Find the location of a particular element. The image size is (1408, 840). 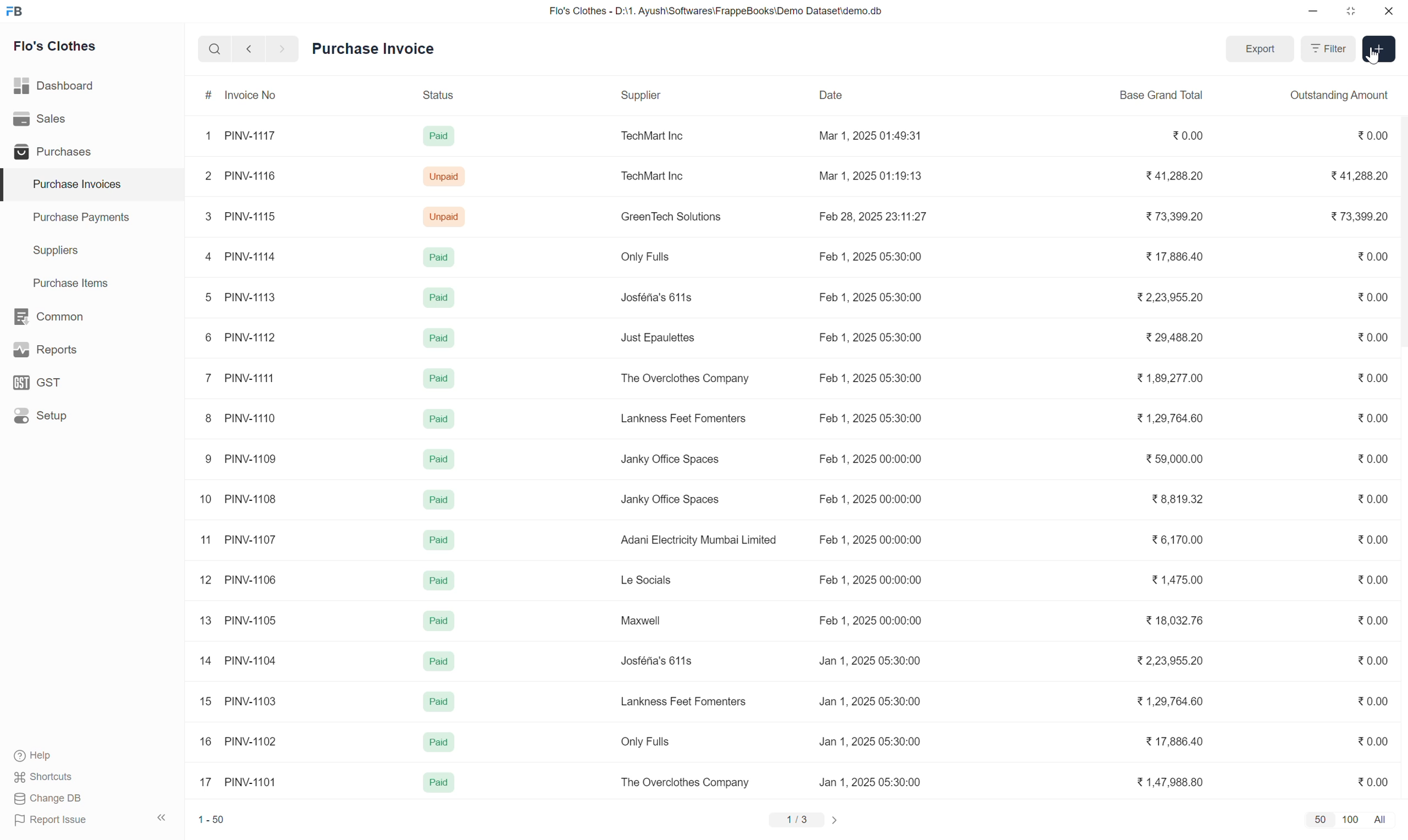

Feb 1, 2025 05:30:00 is located at coordinates (871, 297).